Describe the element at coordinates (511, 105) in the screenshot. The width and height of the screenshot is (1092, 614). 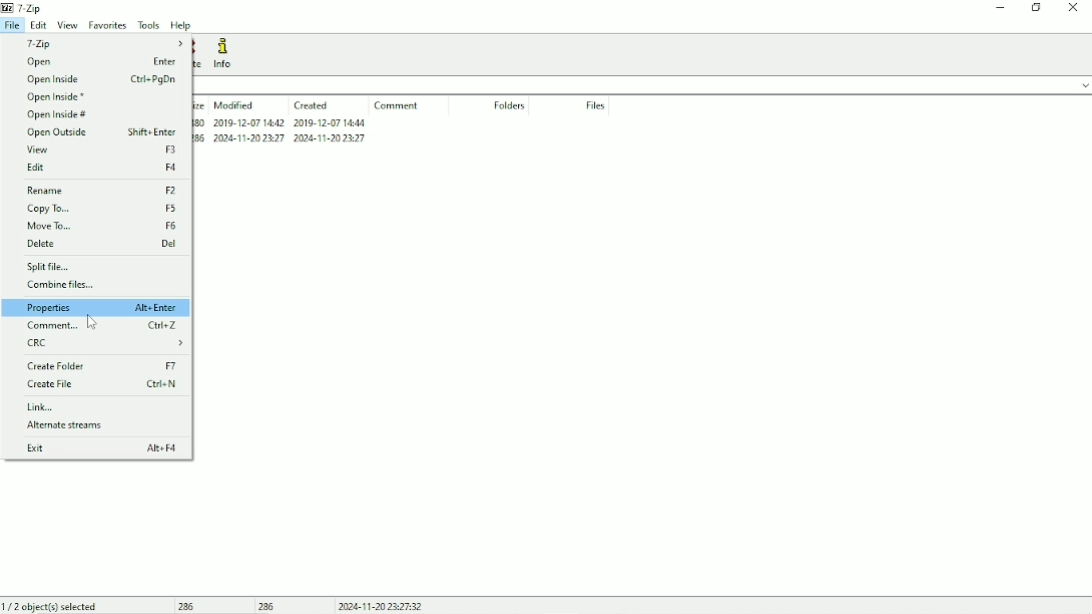
I see `Folders` at that location.